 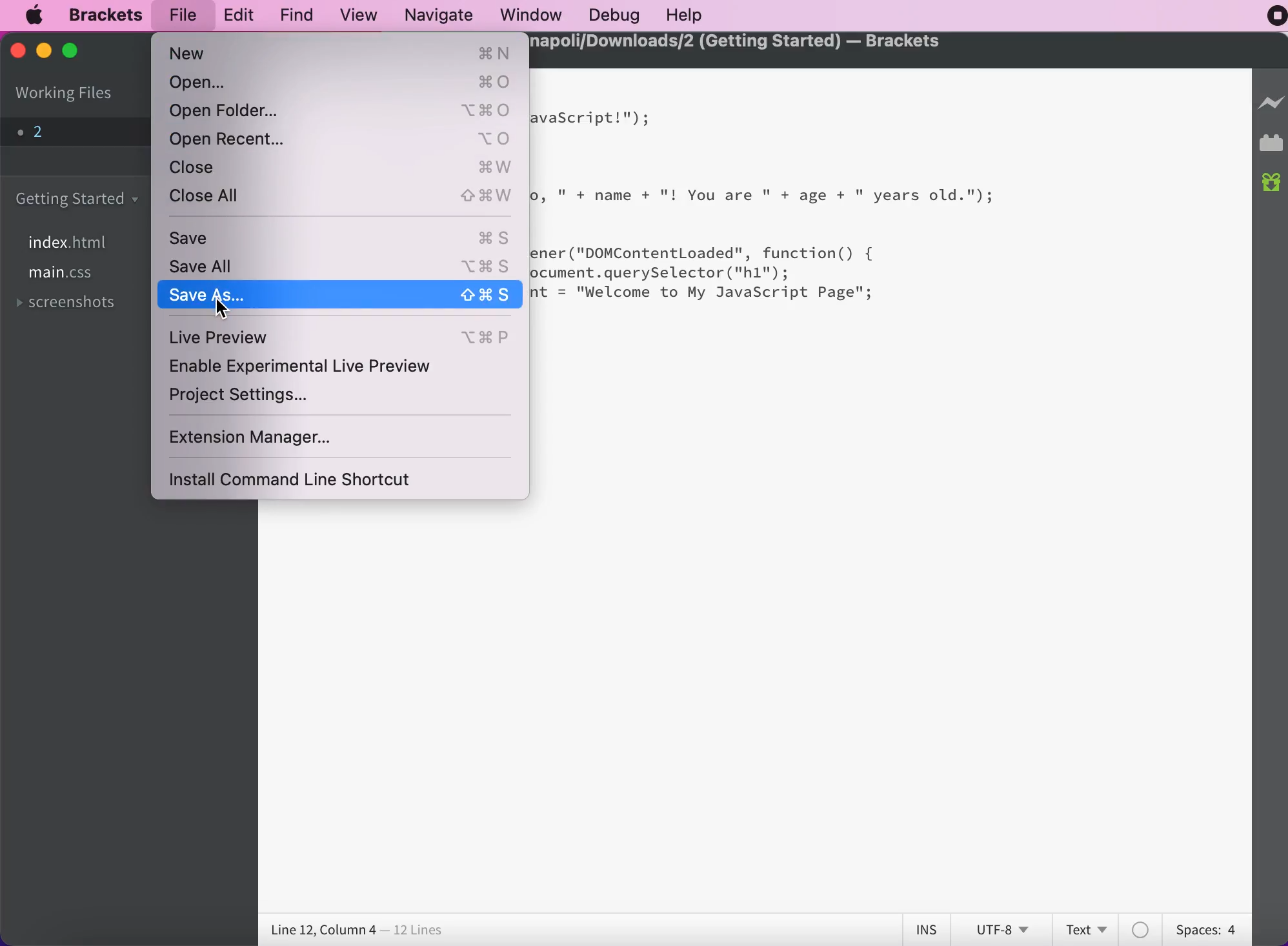 What do you see at coordinates (341, 139) in the screenshot?
I see `open recent` at bounding box center [341, 139].